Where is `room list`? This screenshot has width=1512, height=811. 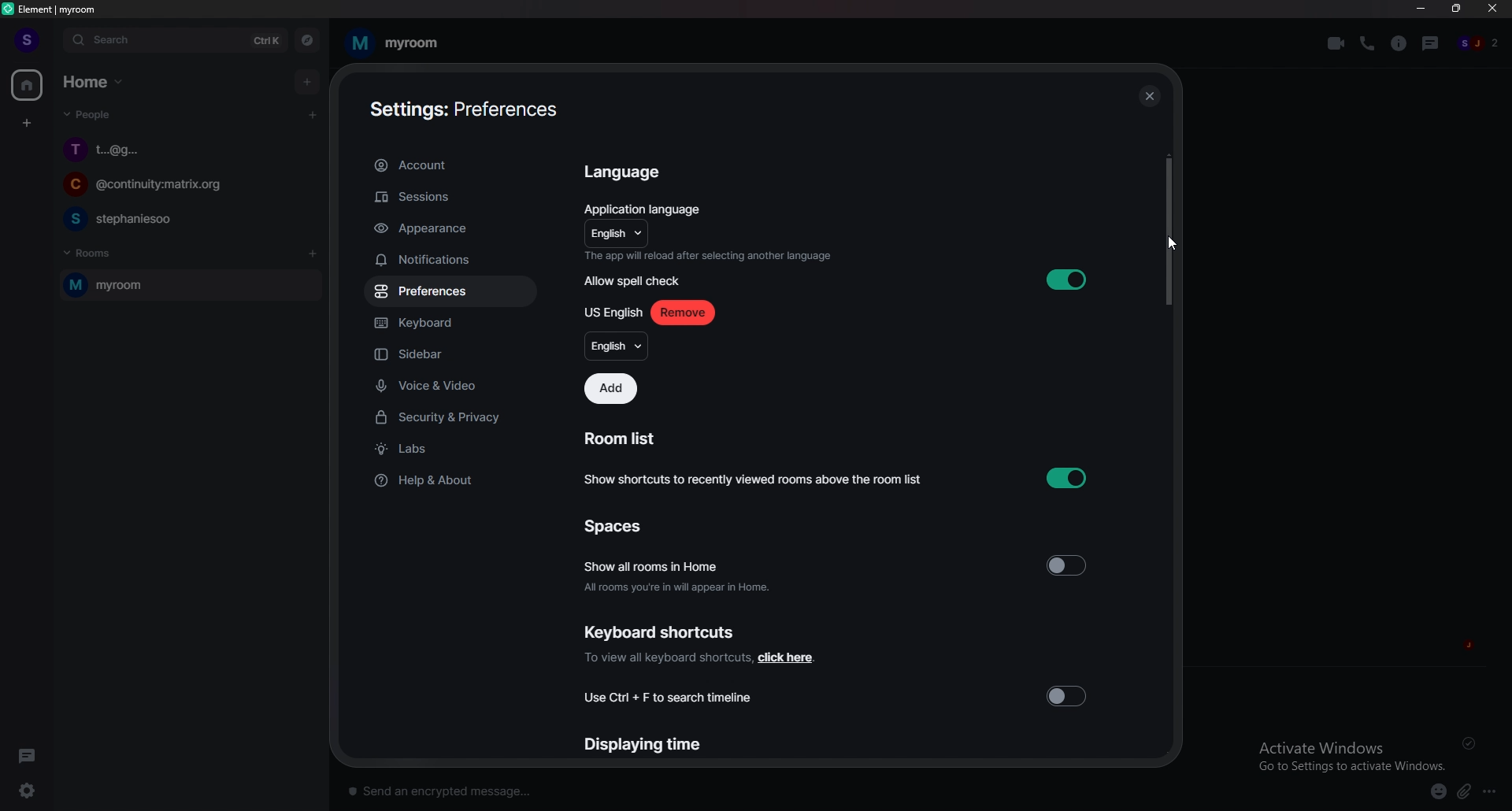 room list is located at coordinates (623, 439).